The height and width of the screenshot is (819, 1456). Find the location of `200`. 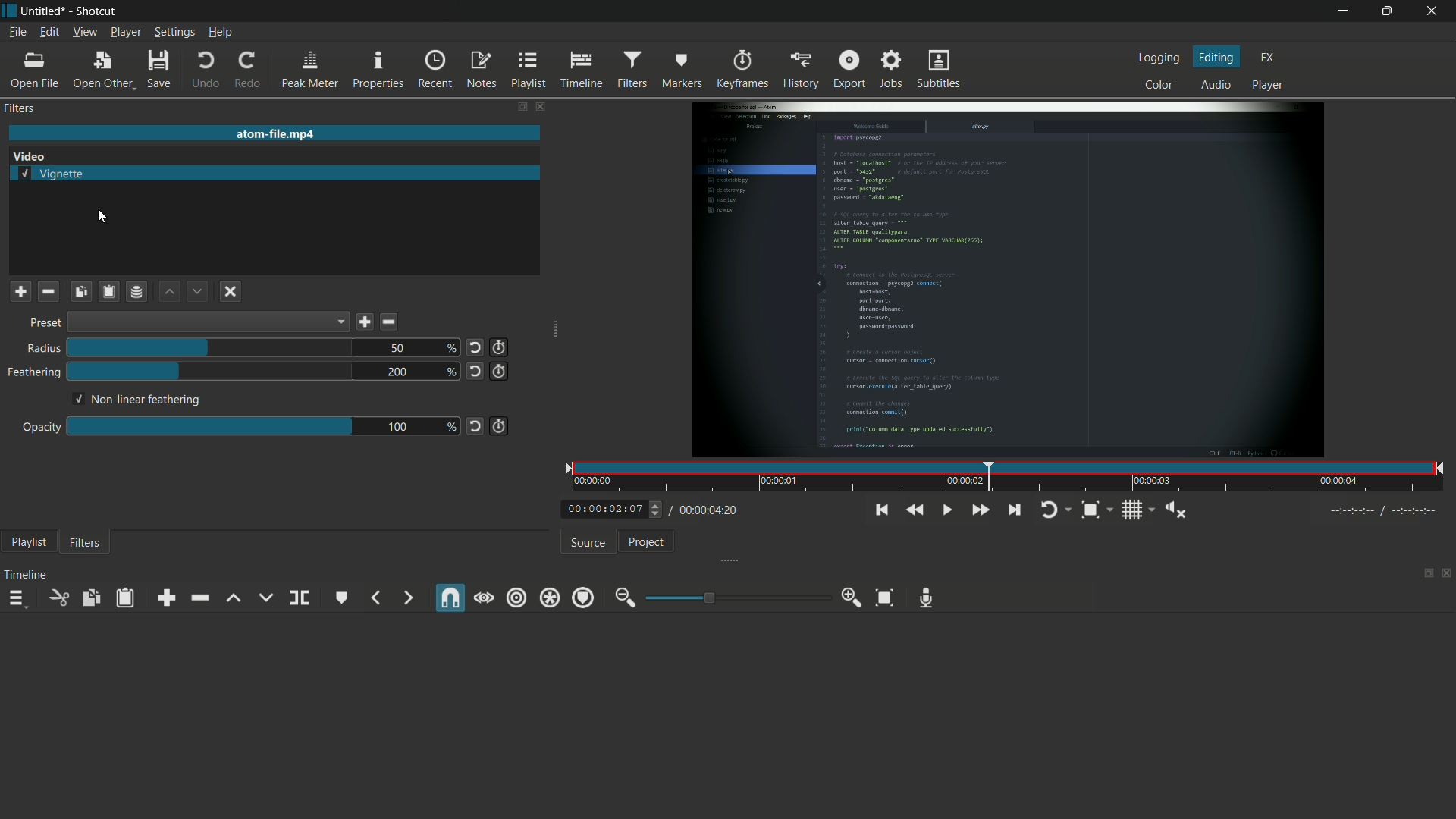

200 is located at coordinates (398, 372).